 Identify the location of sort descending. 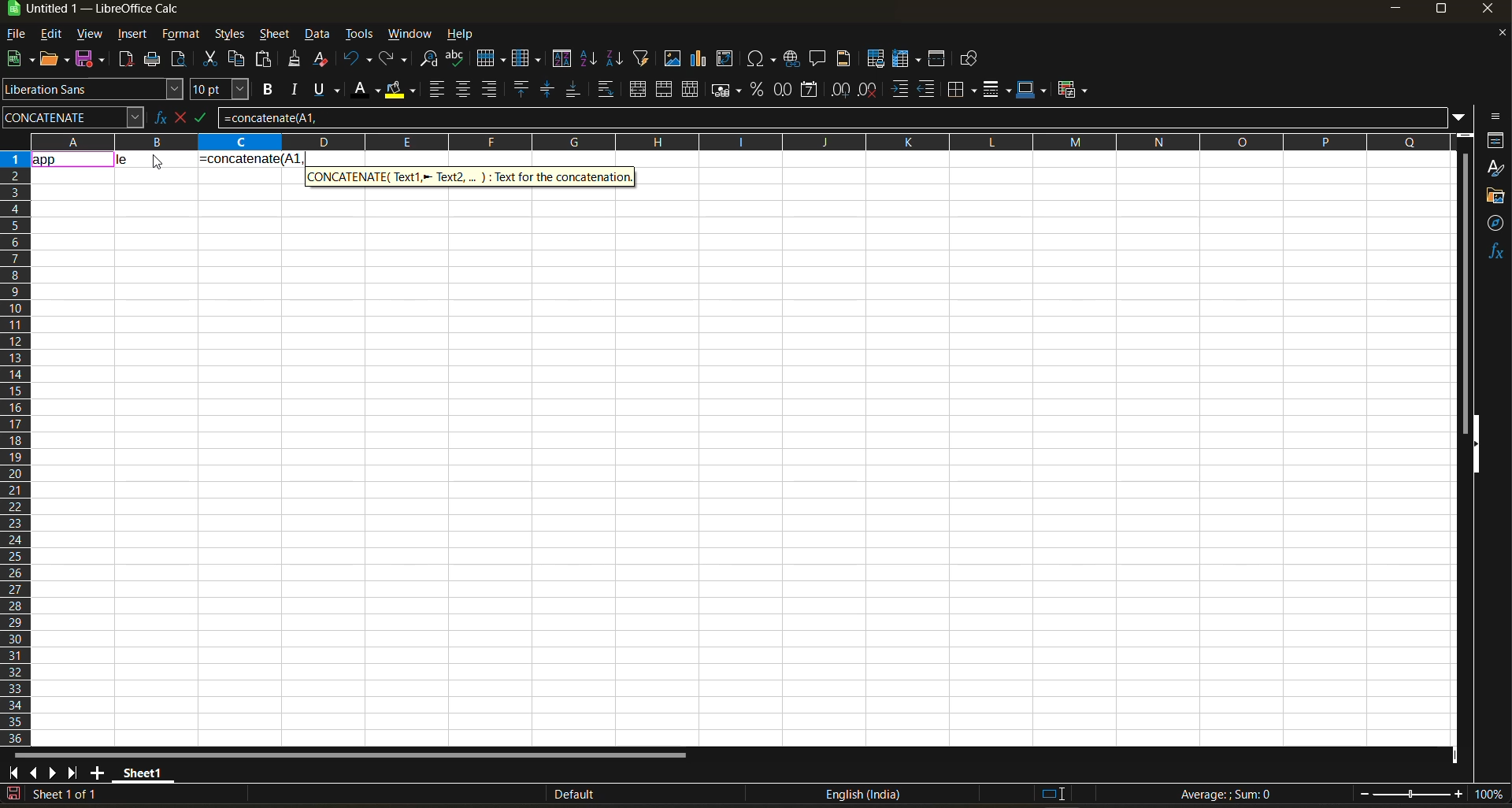
(613, 58).